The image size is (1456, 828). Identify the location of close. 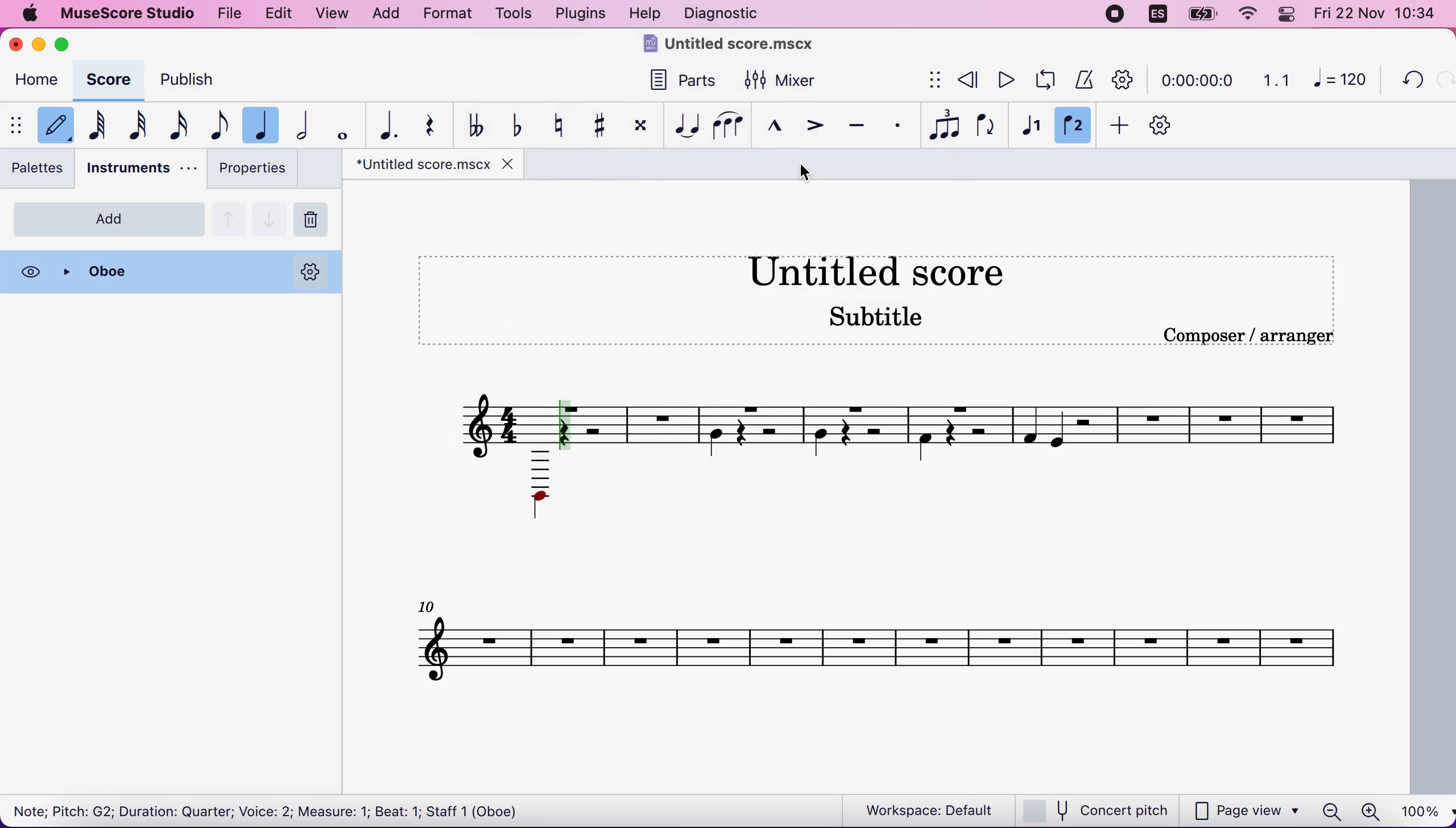
(509, 165).